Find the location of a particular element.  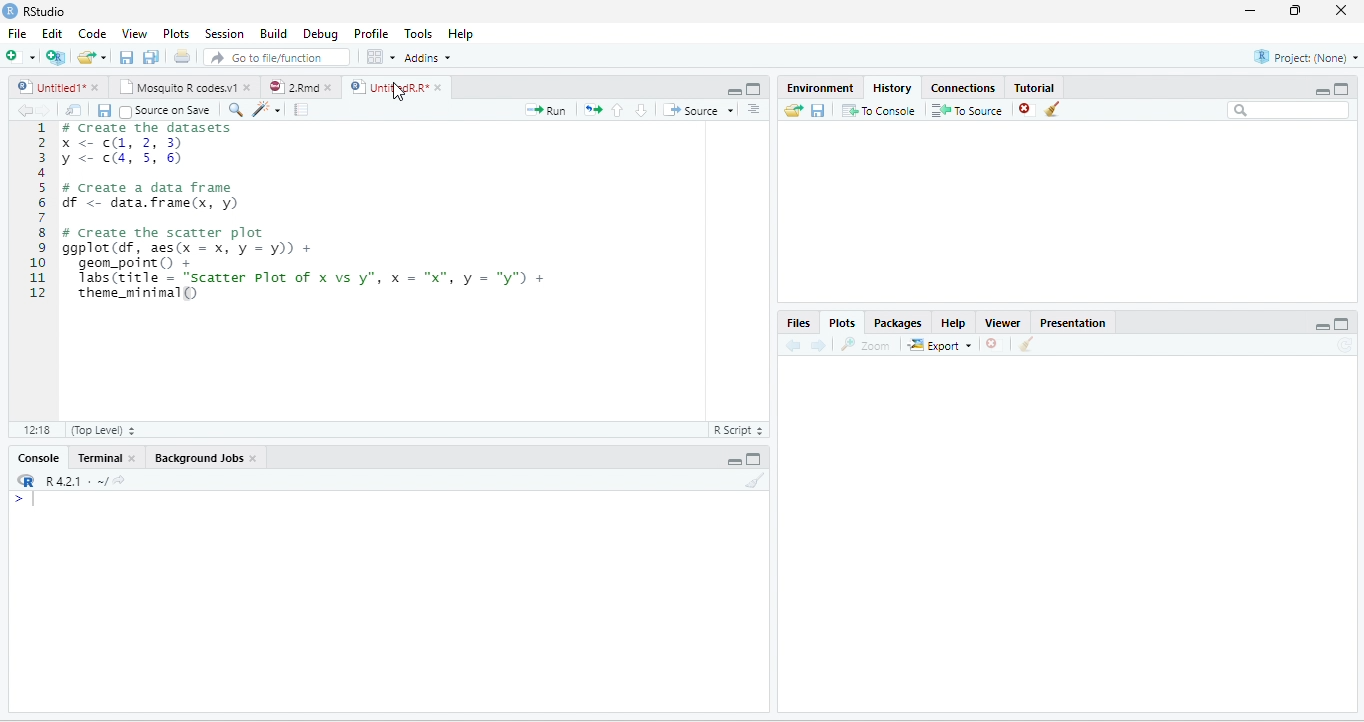

Save all open documents is located at coordinates (151, 56).